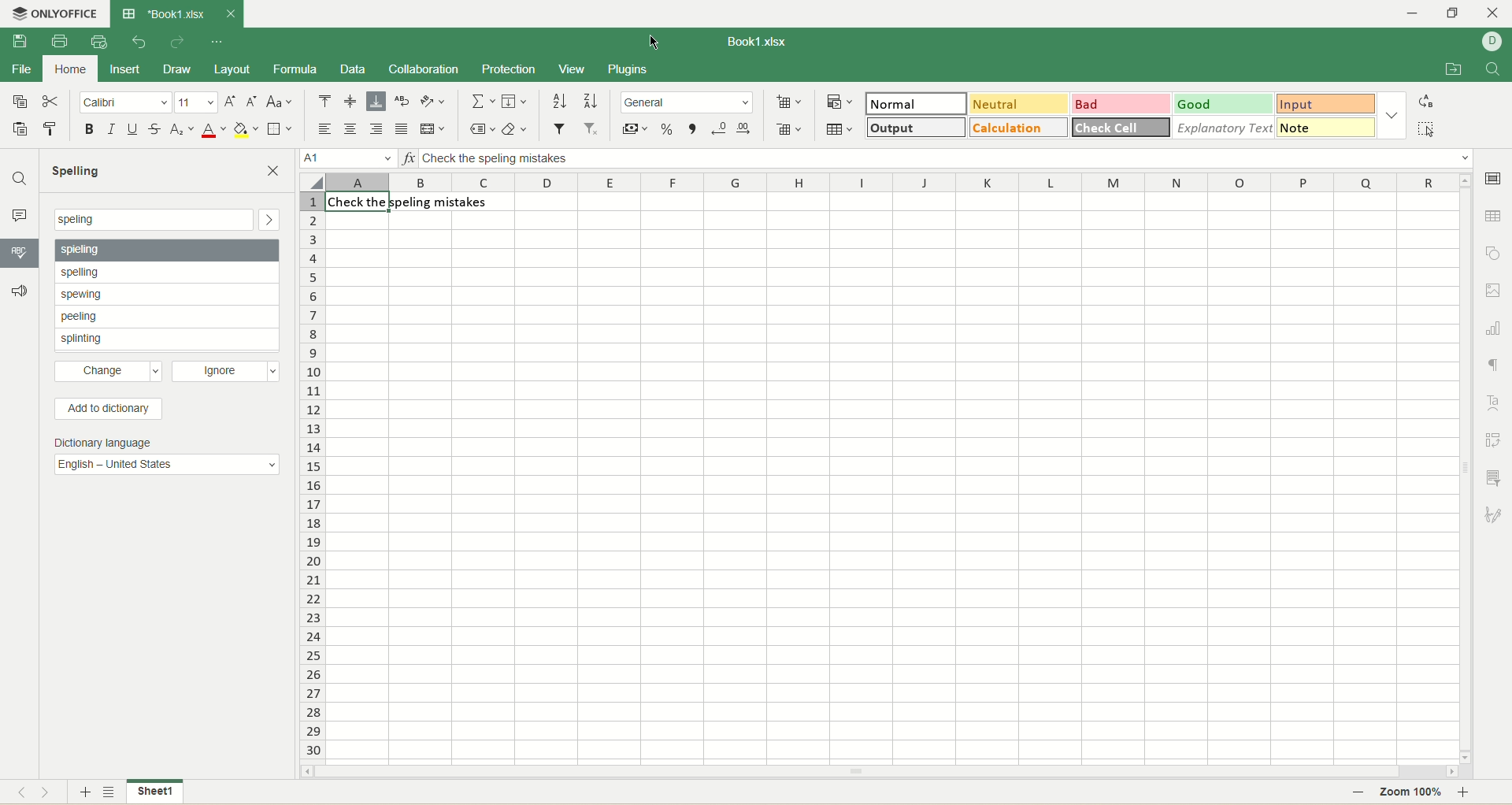 The height and width of the screenshot is (805, 1512). Describe the element at coordinates (59, 41) in the screenshot. I see `print` at that location.